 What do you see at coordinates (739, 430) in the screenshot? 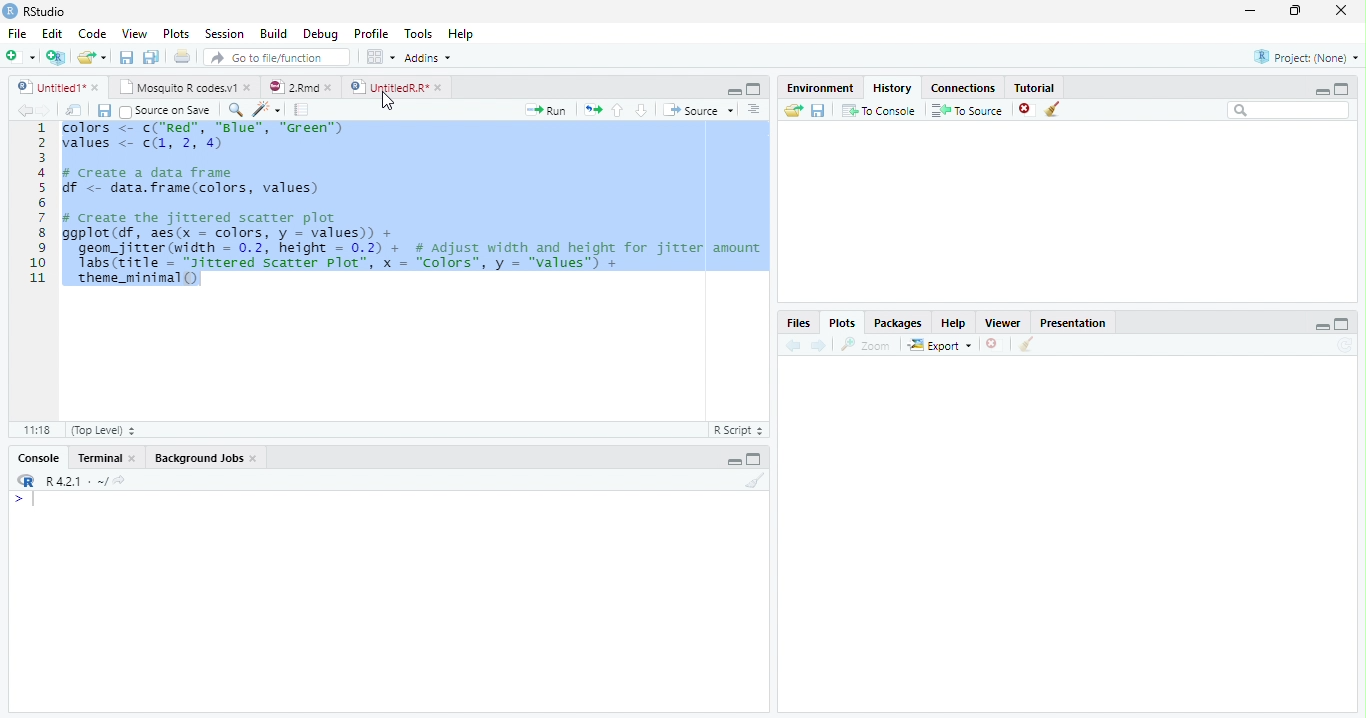
I see `R Script` at bounding box center [739, 430].